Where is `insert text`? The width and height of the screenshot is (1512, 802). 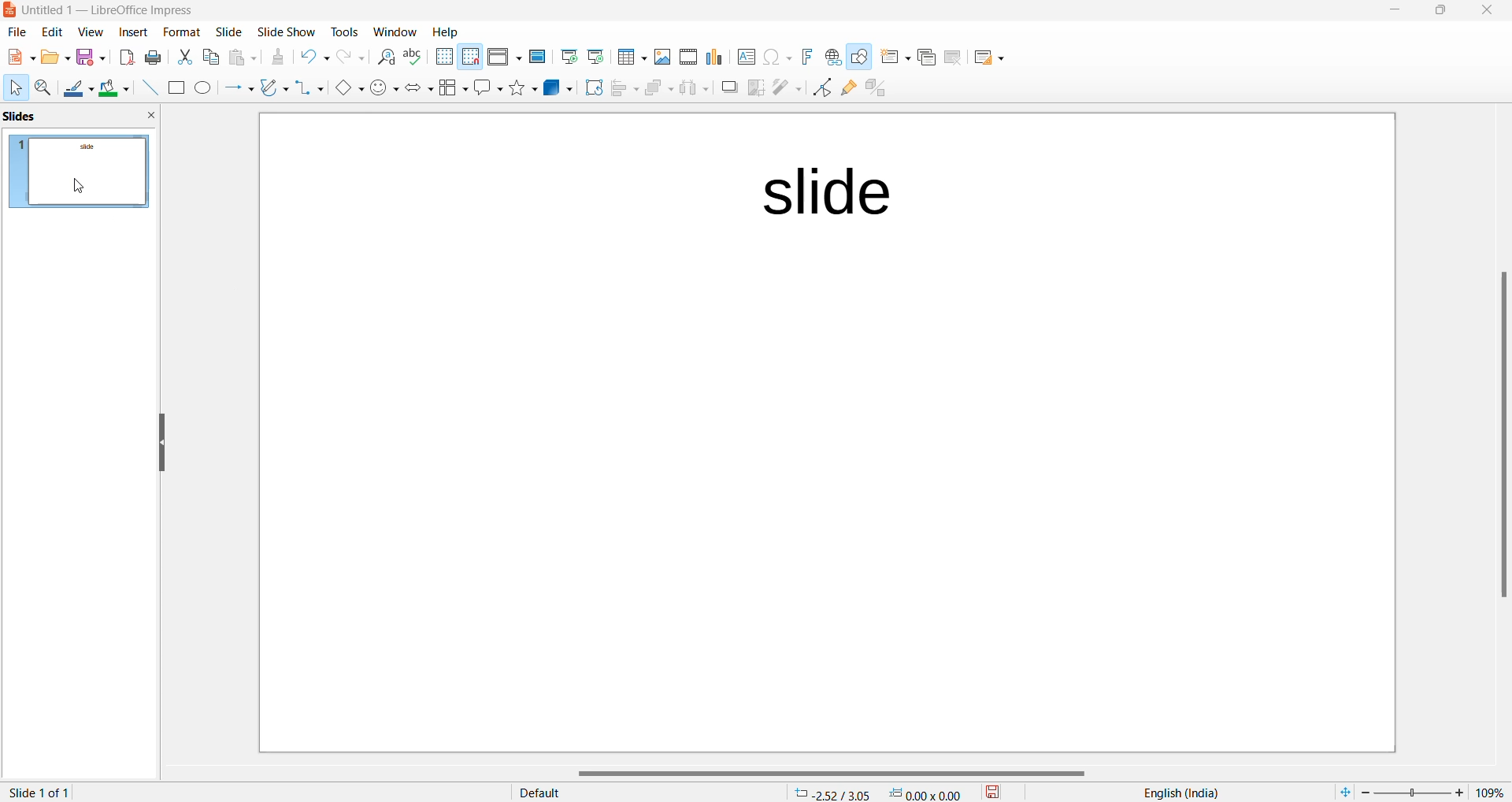 insert text is located at coordinates (745, 56).